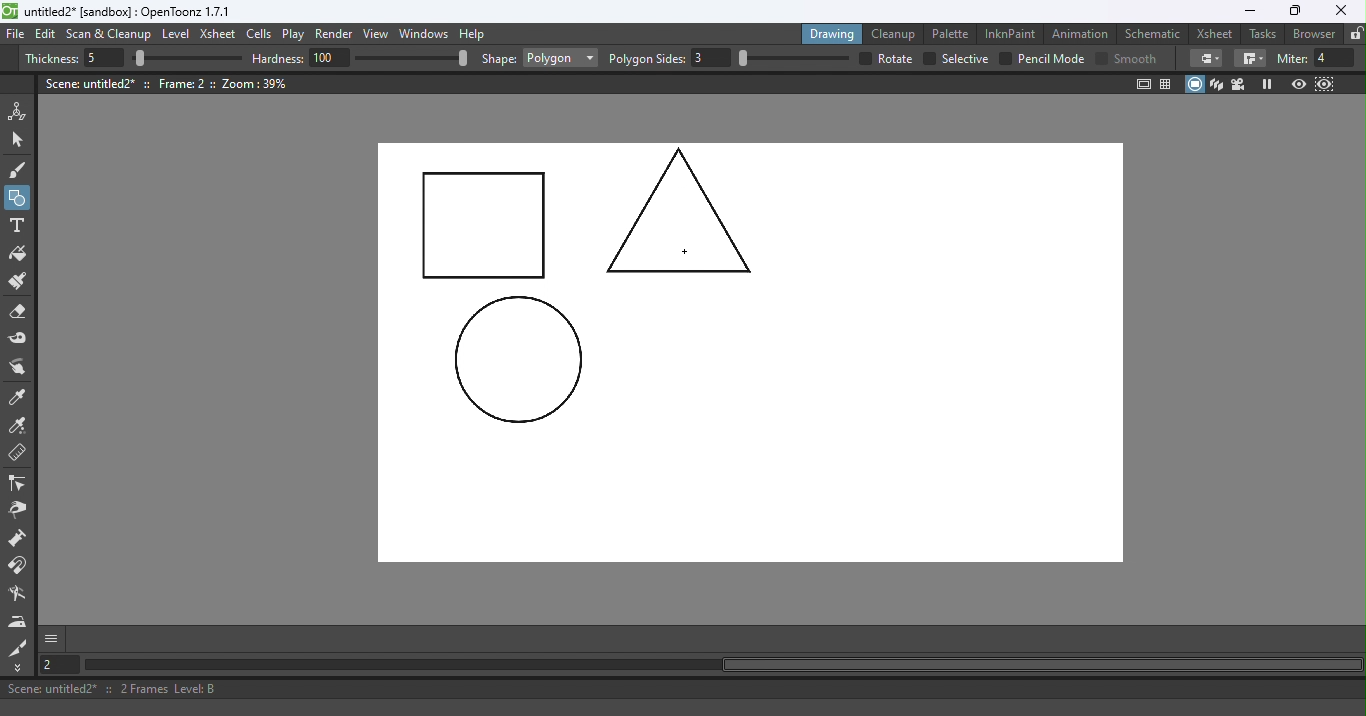  Describe the element at coordinates (187, 59) in the screenshot. I see `slider` at that location.